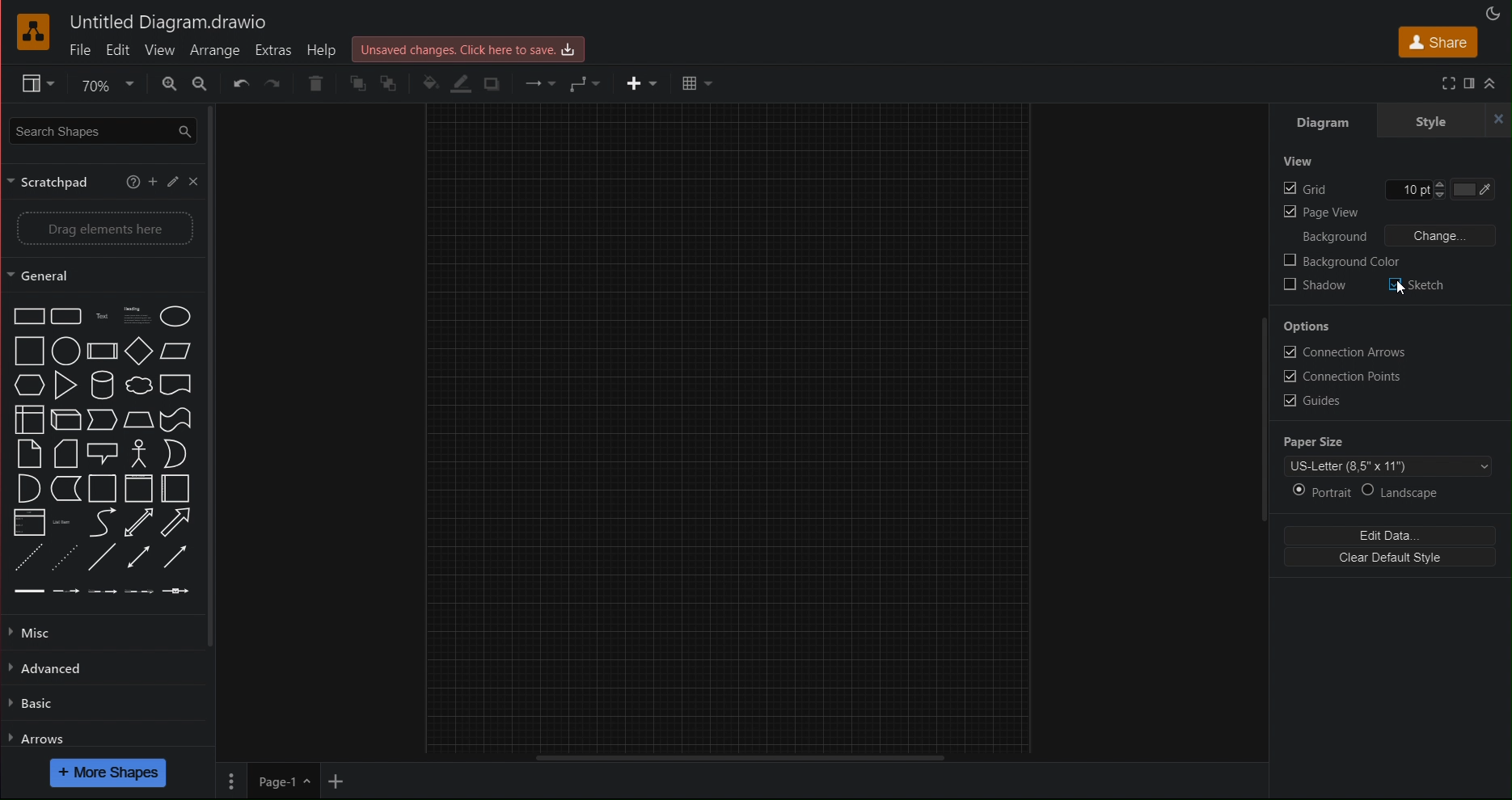 Image resolution: width=1512 pixels, height=800 pixels. What do you see at coordinates (284, 781) in the screenshot?
I see `Page 1` at bounding box center [284, 781].